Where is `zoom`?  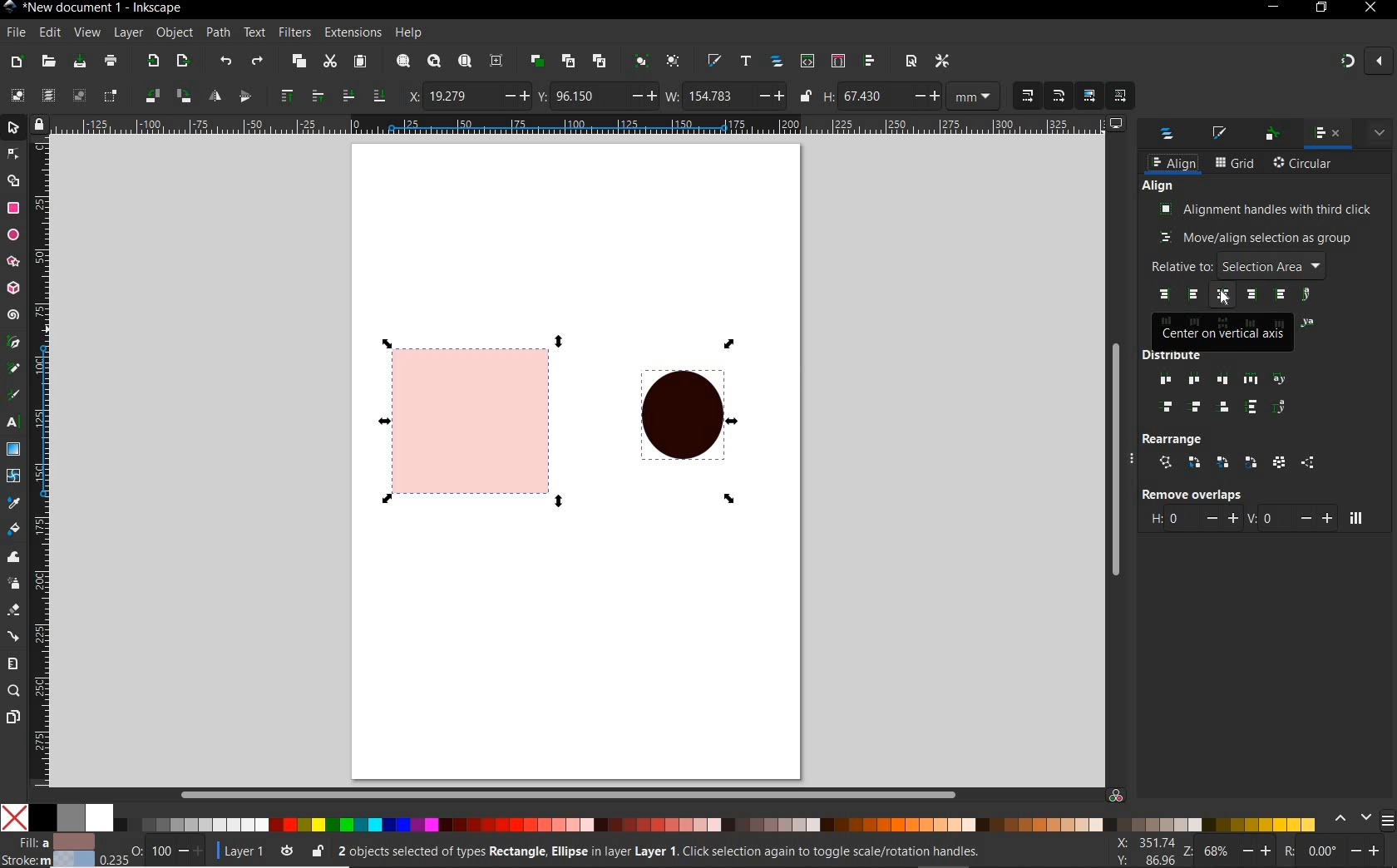 zoom is located at coordinates (1236, 853).